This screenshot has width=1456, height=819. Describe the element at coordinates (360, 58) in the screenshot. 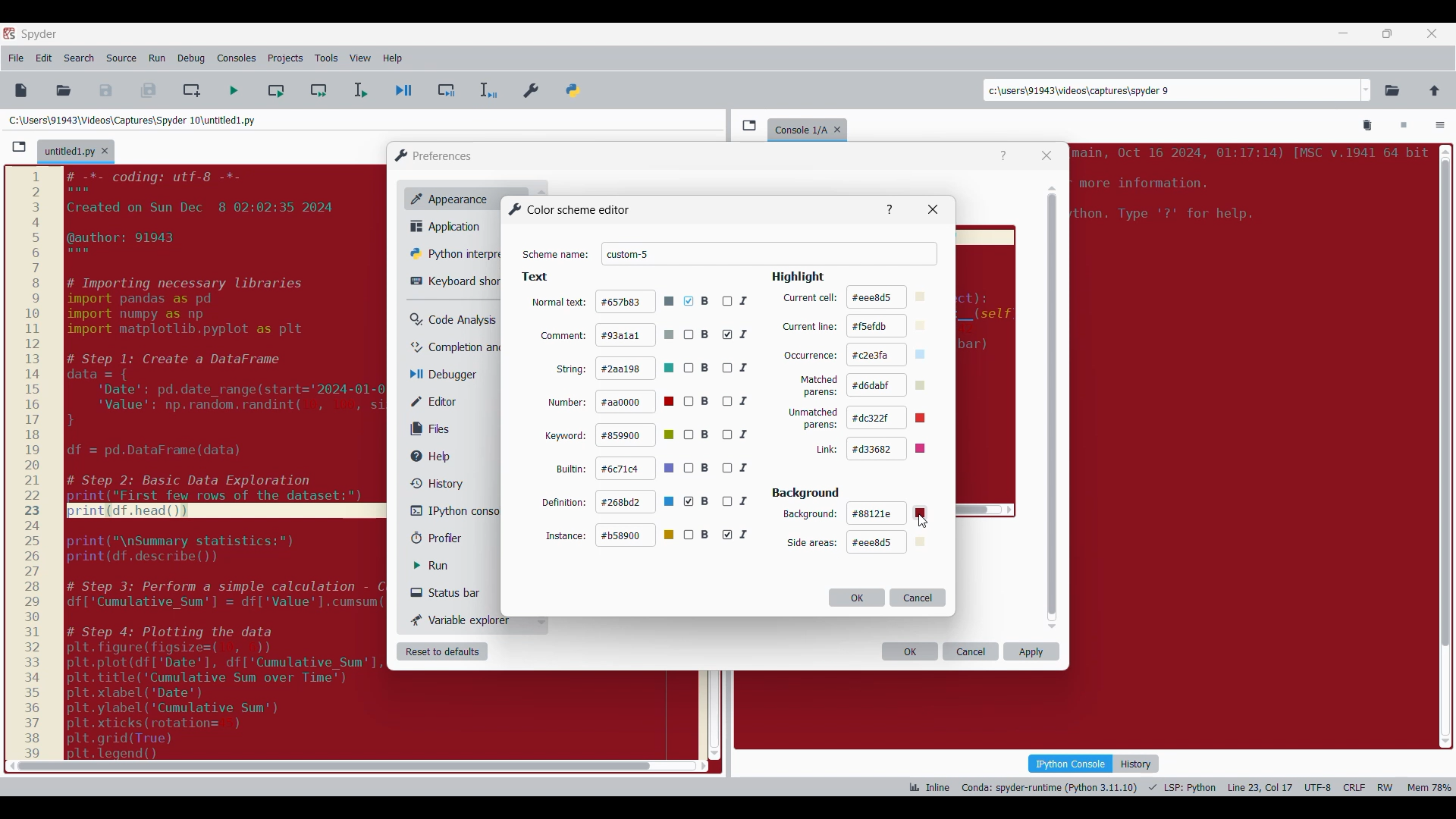

I see `View menu` at that location.